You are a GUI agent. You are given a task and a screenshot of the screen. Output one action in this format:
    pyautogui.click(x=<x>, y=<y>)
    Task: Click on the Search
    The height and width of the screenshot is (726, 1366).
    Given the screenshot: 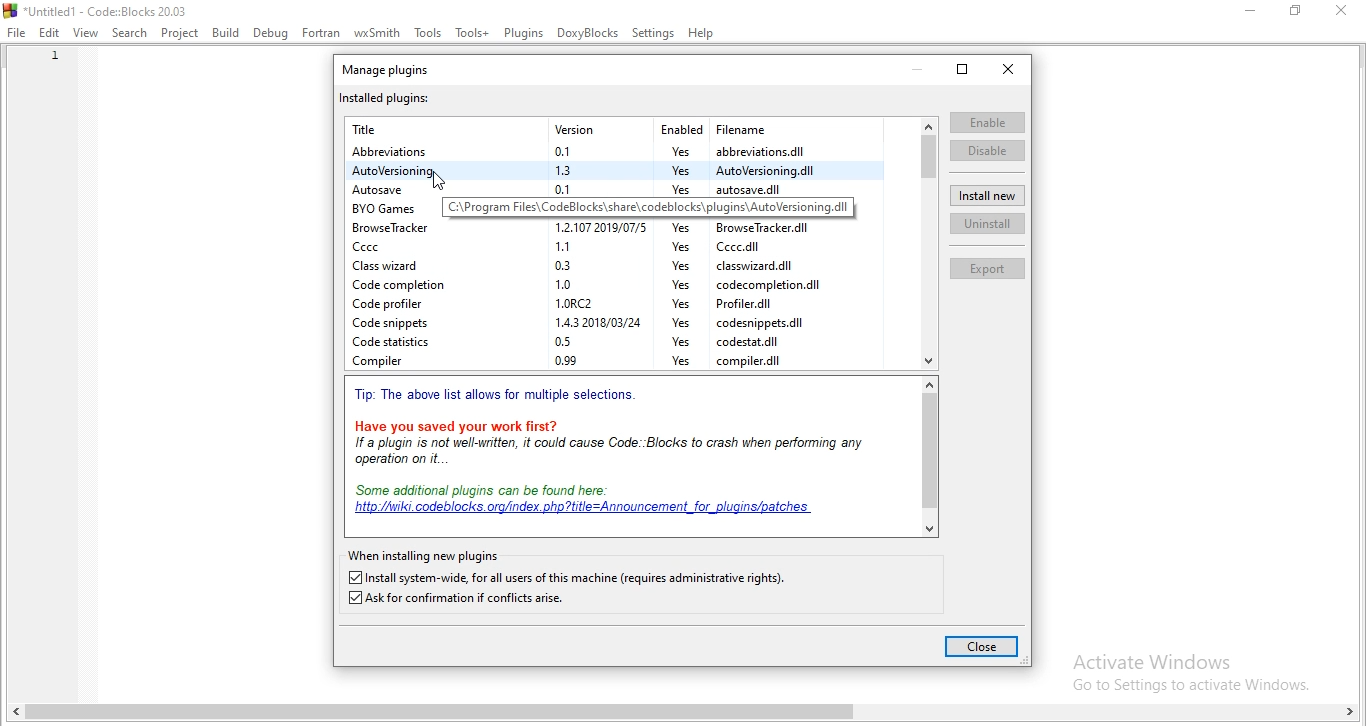 What is the action you would take?
    pyautogui.click(x=128, y=32)
    